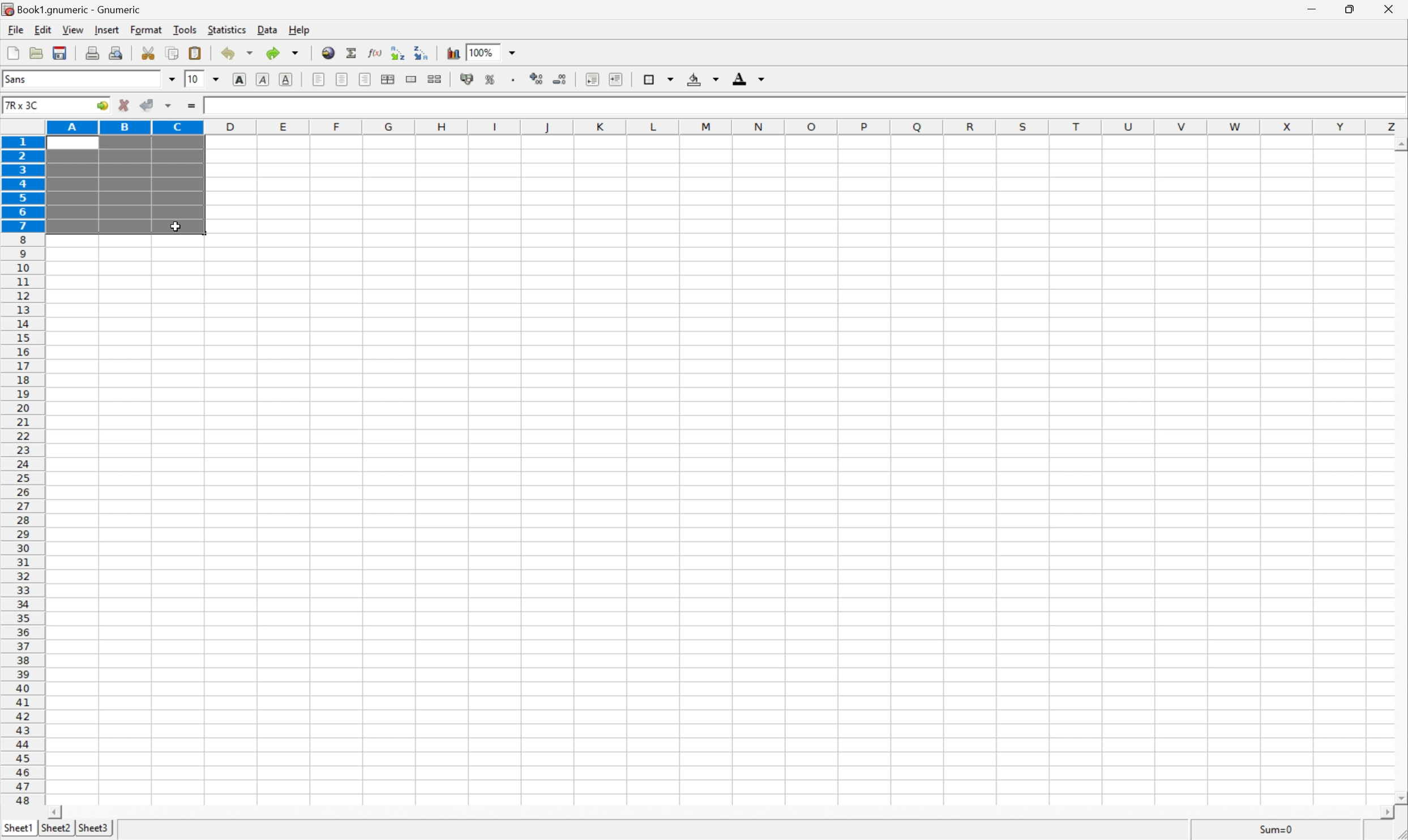 This screenshot has height=840, width=1408. Describe the element at coordinates (298, 29) in the screenshot. I see `help` at that location.